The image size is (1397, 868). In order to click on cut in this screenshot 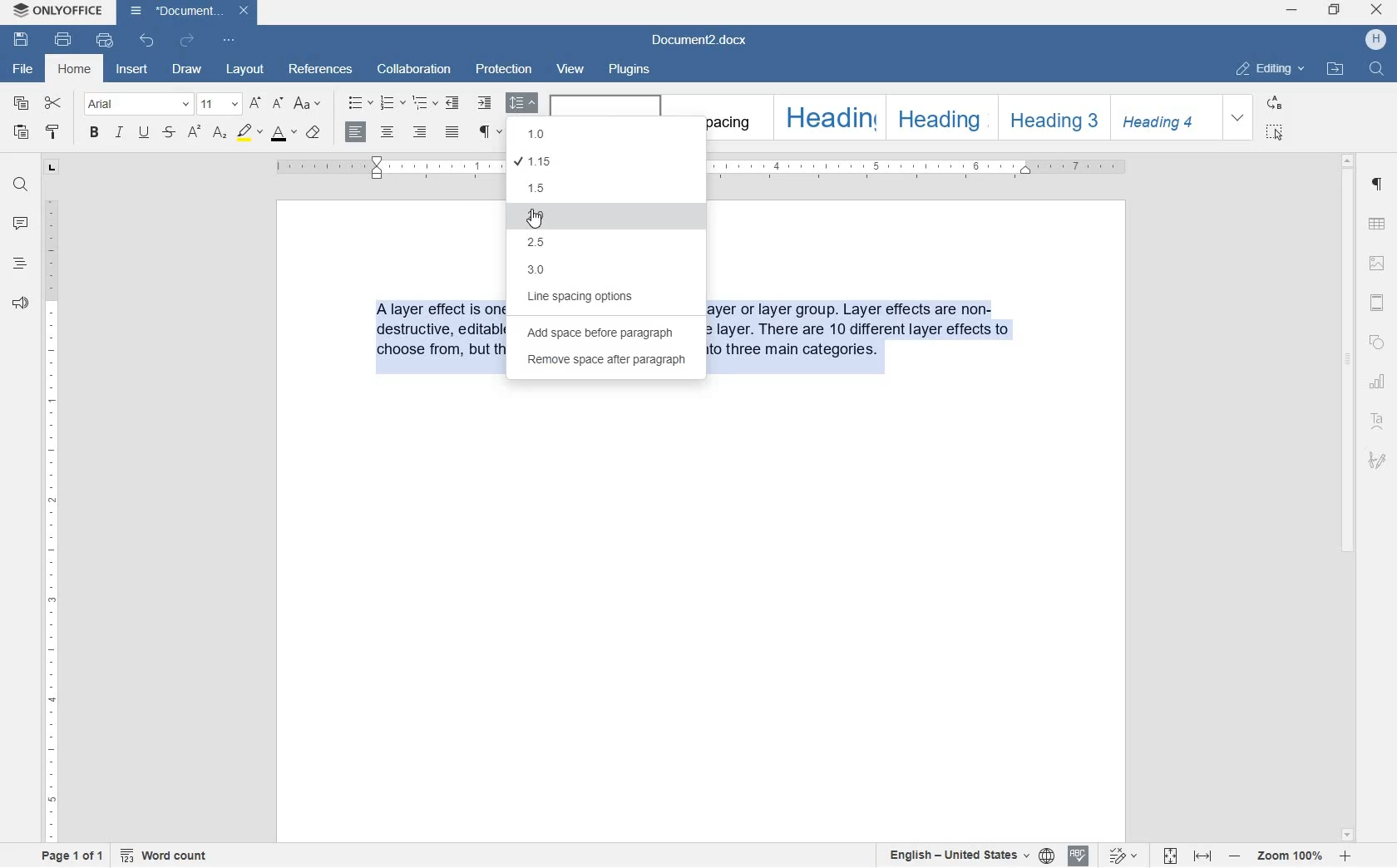, I will do `click(53, 104)`.